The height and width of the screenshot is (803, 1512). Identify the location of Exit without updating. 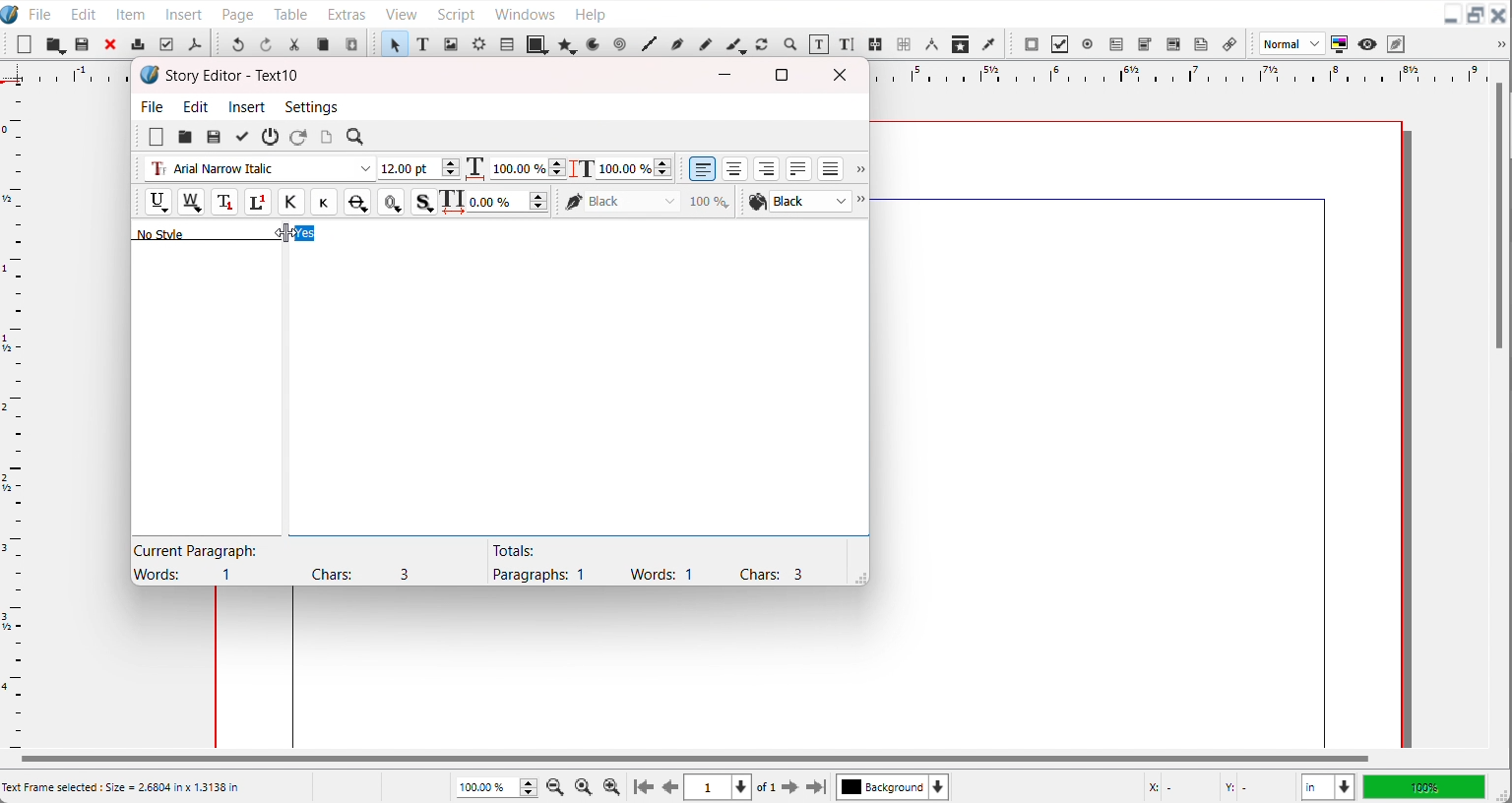
(271, 137).